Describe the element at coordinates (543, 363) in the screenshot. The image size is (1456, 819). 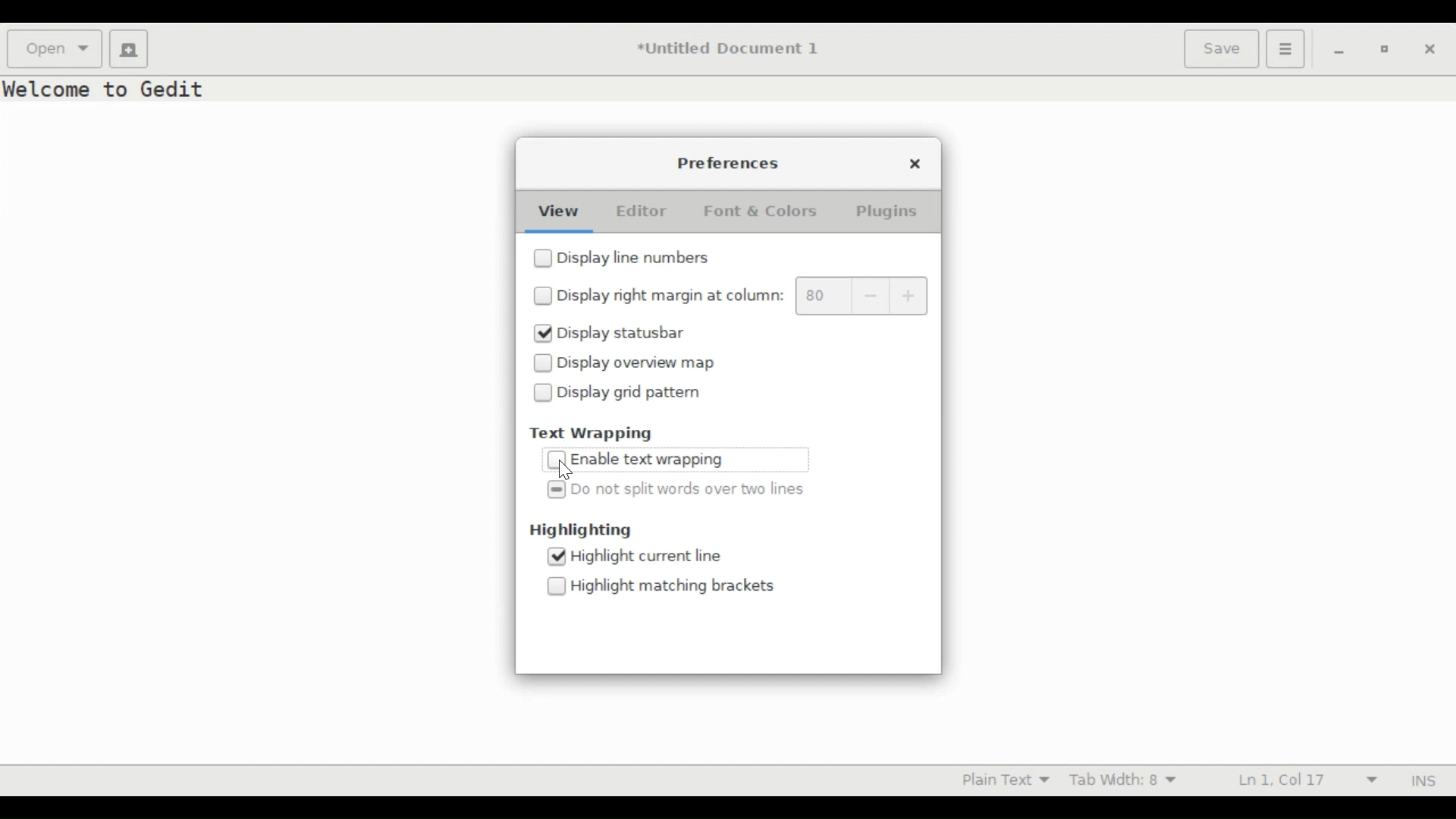
I see `checkbox` at that location.